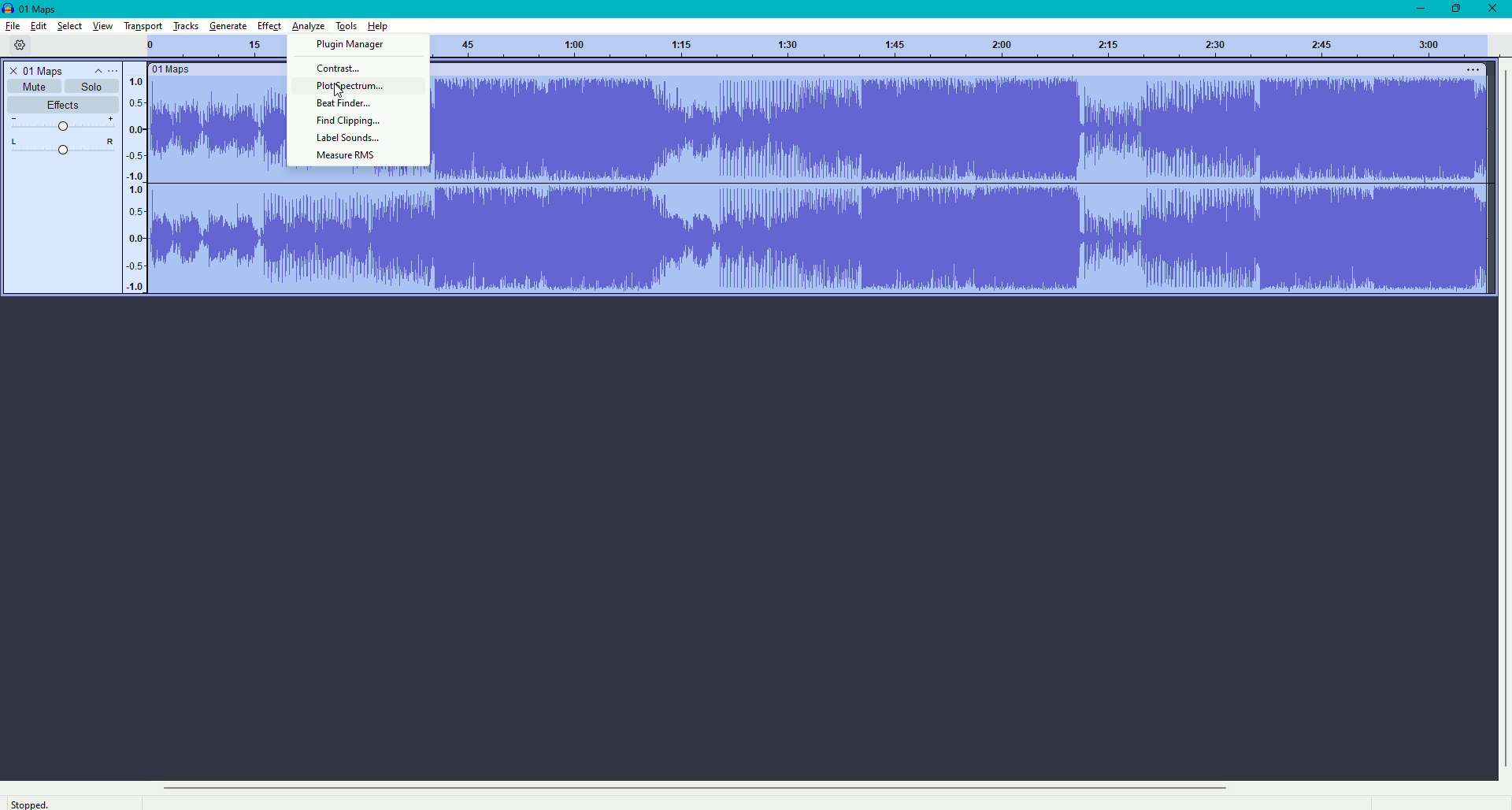  What do you see at coordinates (19, 45) in the screenshot?
I see `Settings` at bounding box center [19, 45].